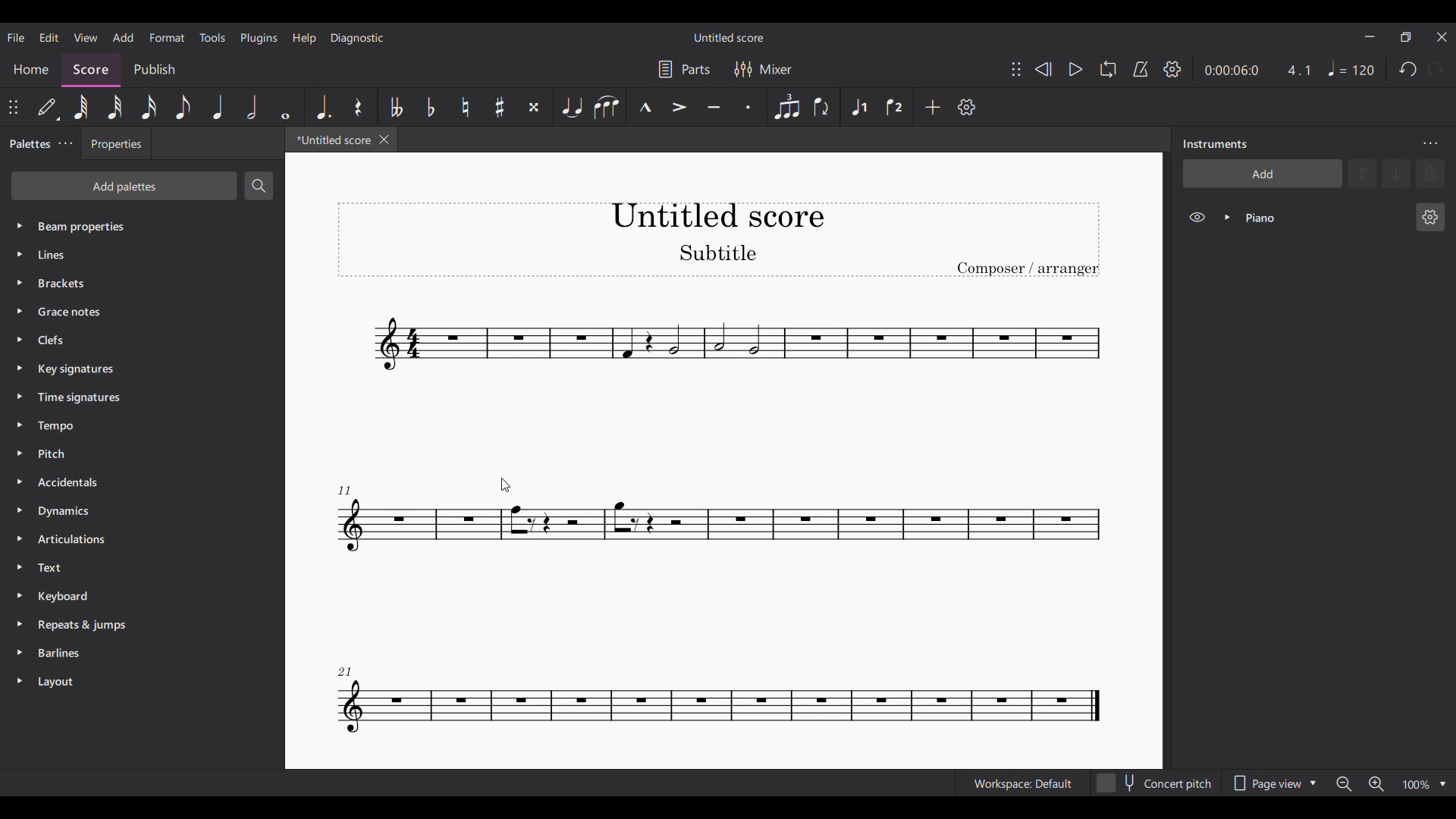  What do you see at coordinates (1075, 69) in the screenshot?
I see `Play` at bounding box center [1075, 69].